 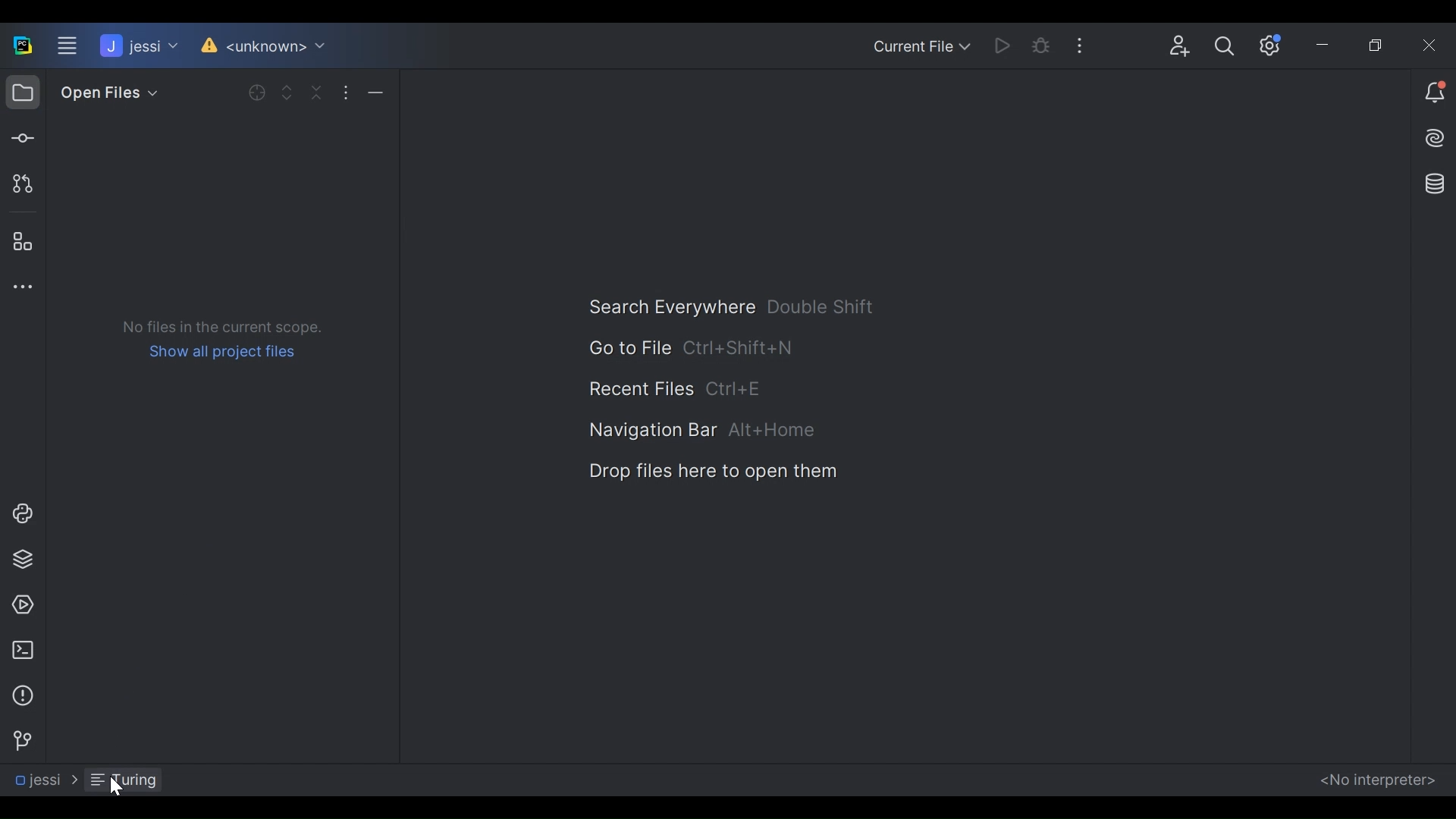 I want to click on Version Control, so click(x=259, y=46).